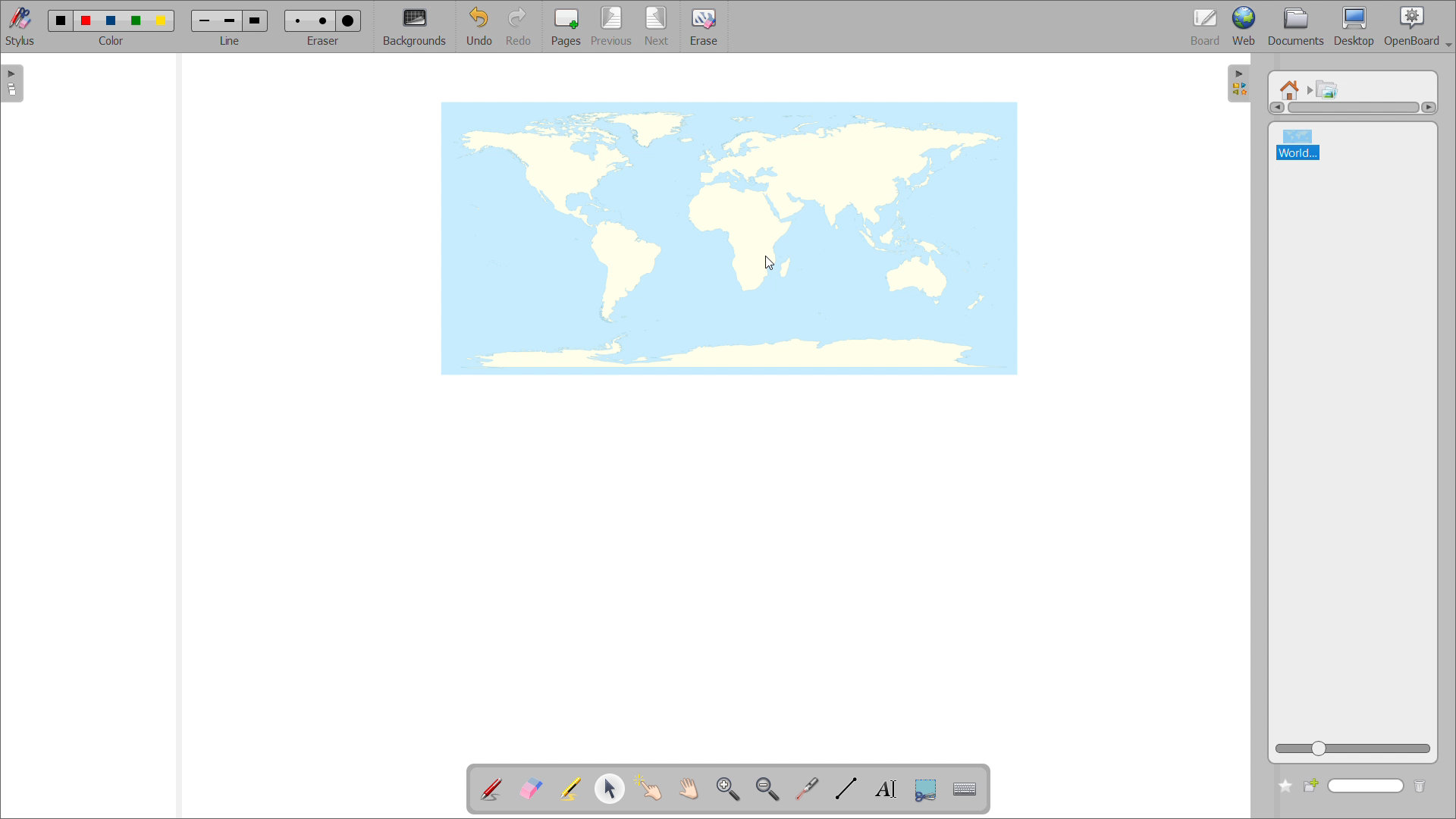 This screenshot has width=1456, height=819. Describe the element at coordinates (20, 26) in the screenshot. I see `stylus` at that location.